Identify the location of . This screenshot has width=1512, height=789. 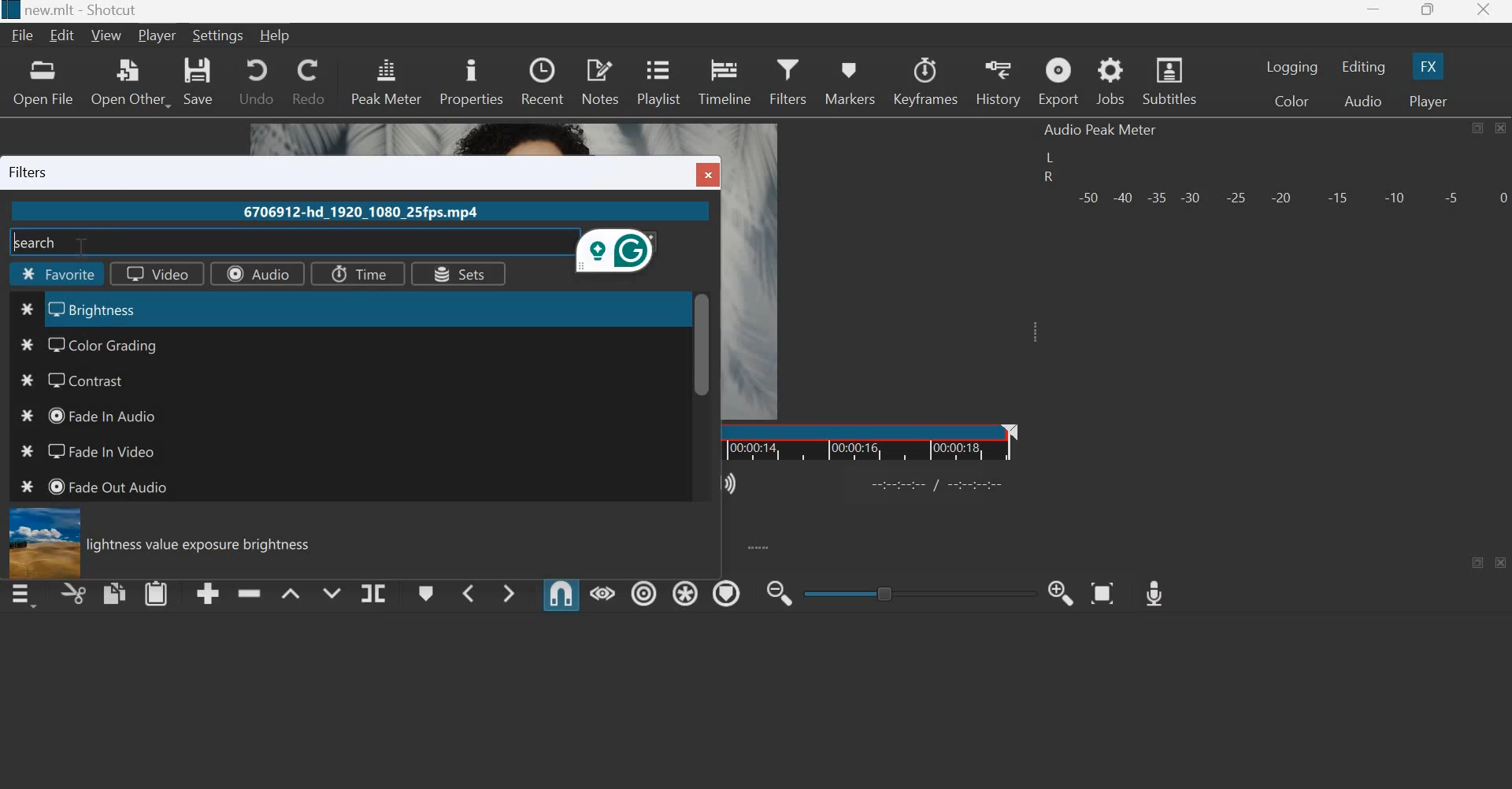
(27, 489).